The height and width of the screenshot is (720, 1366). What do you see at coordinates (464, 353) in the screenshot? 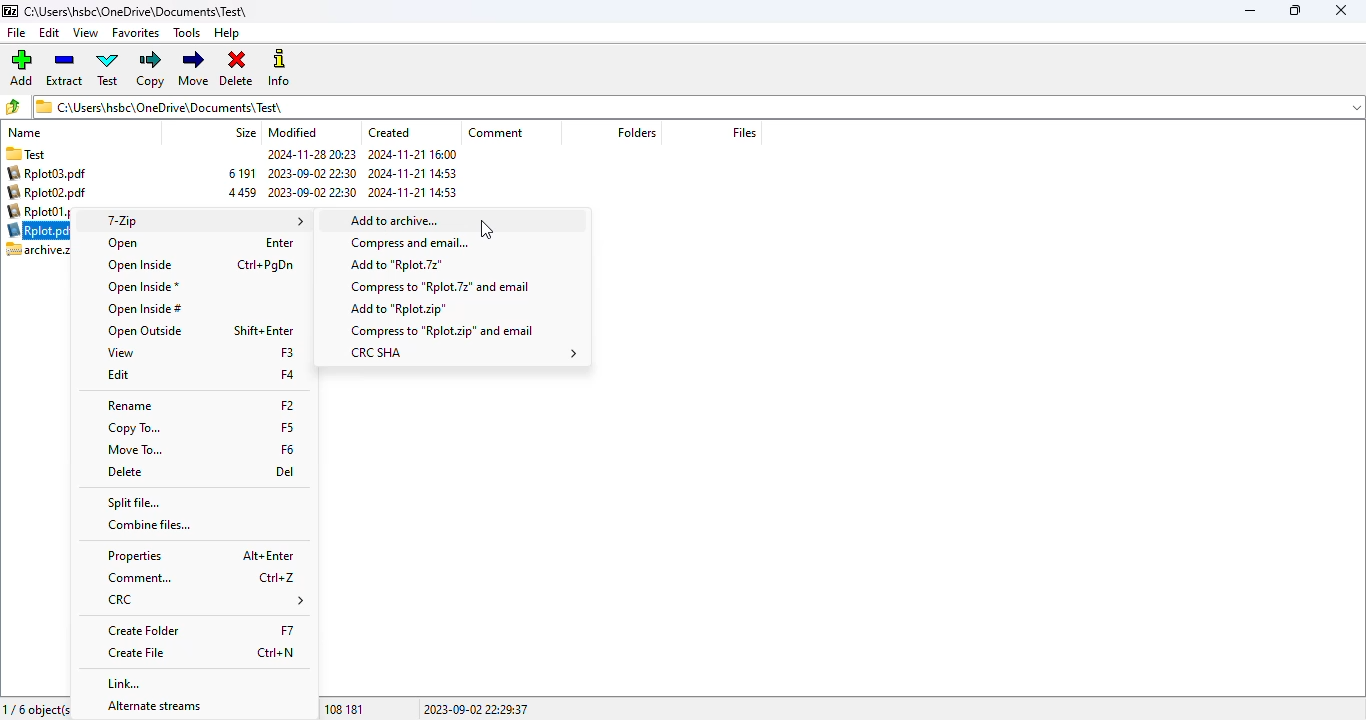
I see `CRC SHA` at bounding box center [464, 353].